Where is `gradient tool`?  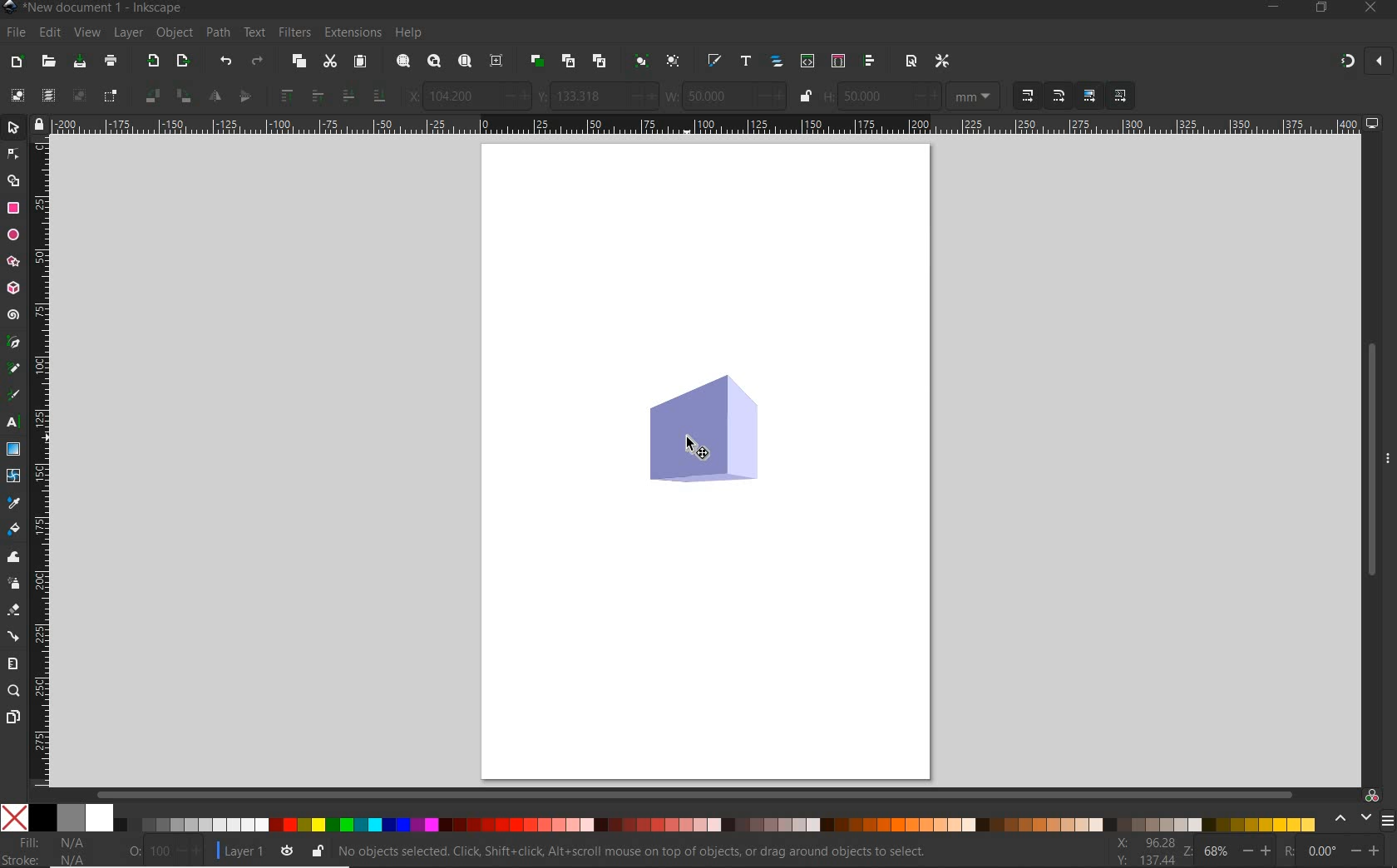
gradient tool is located at coordinates (13, 449).